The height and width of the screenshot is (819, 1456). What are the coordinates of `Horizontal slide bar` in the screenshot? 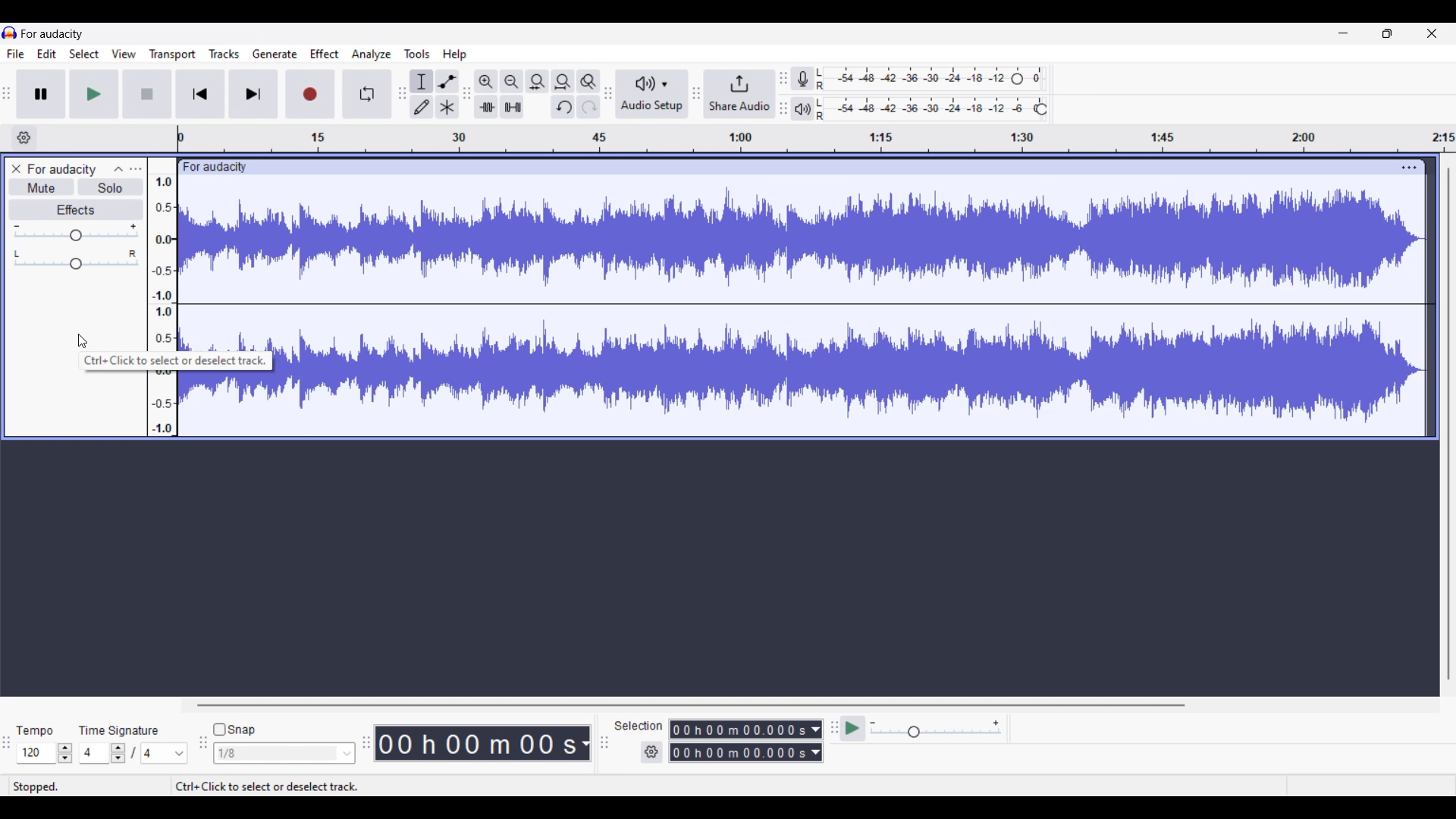 It's located at (692, 705).